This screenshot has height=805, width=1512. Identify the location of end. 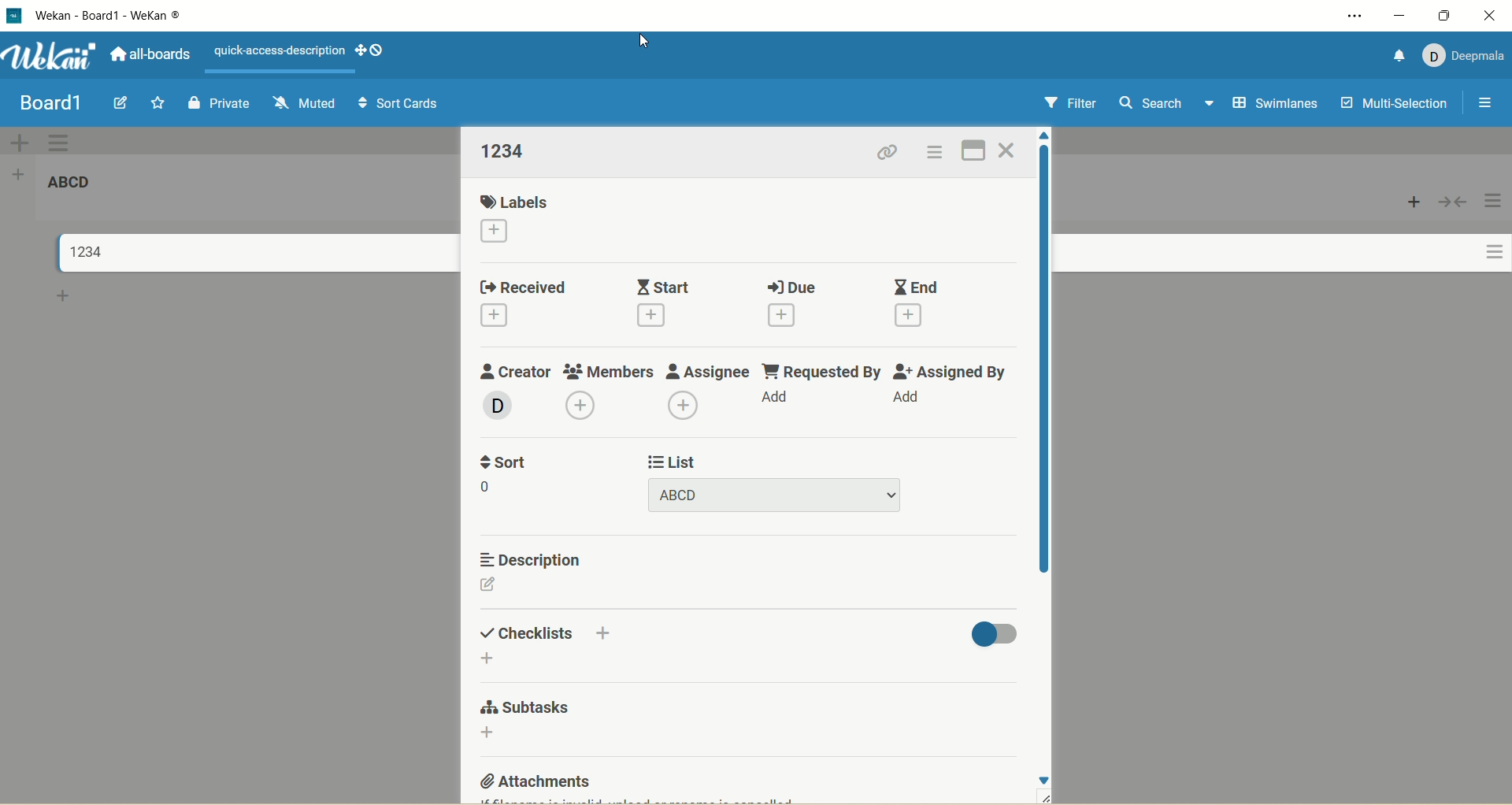
(914, 286).